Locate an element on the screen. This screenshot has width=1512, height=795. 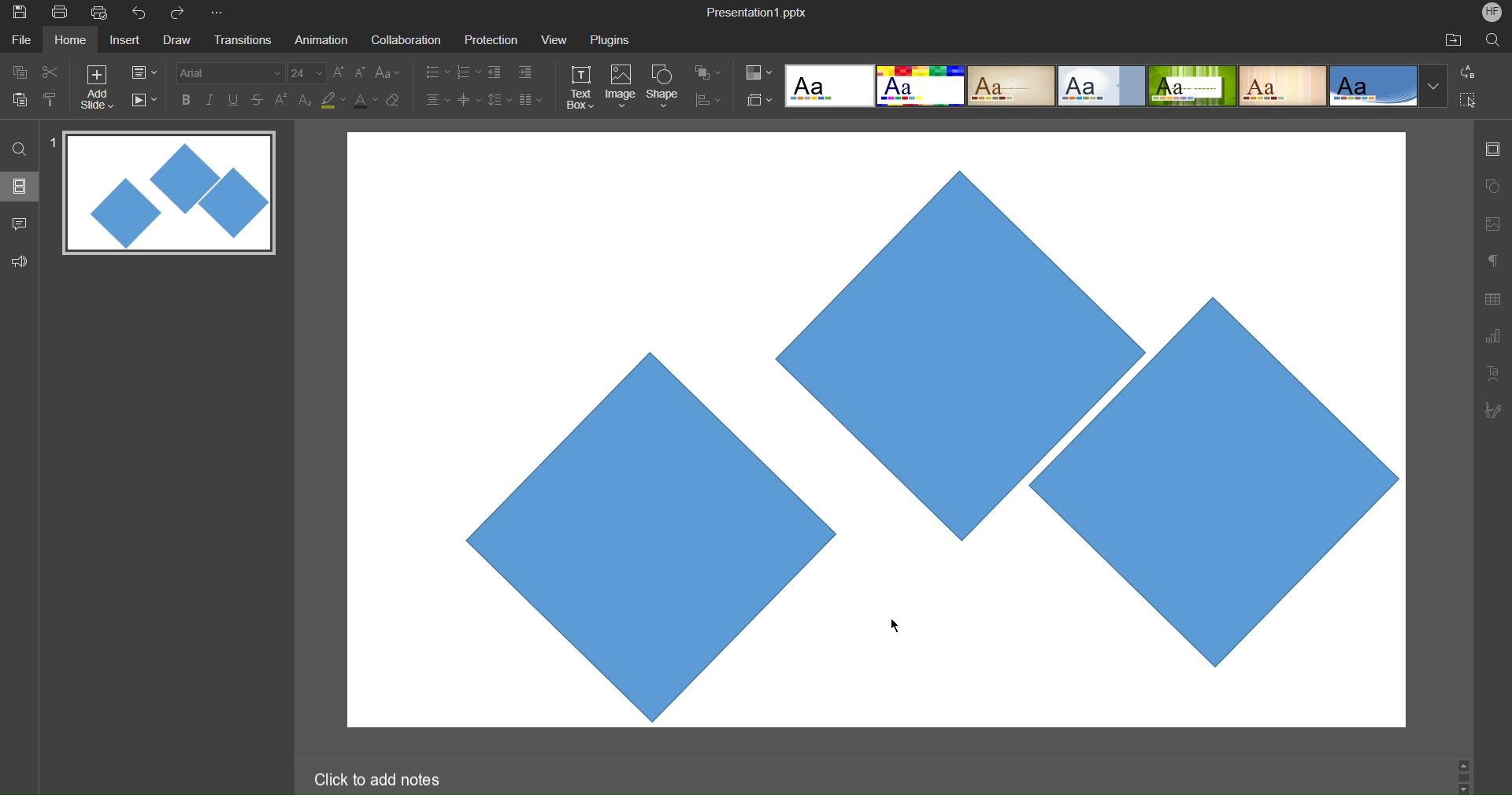
Increase Font is located at coordinates (339, 72).